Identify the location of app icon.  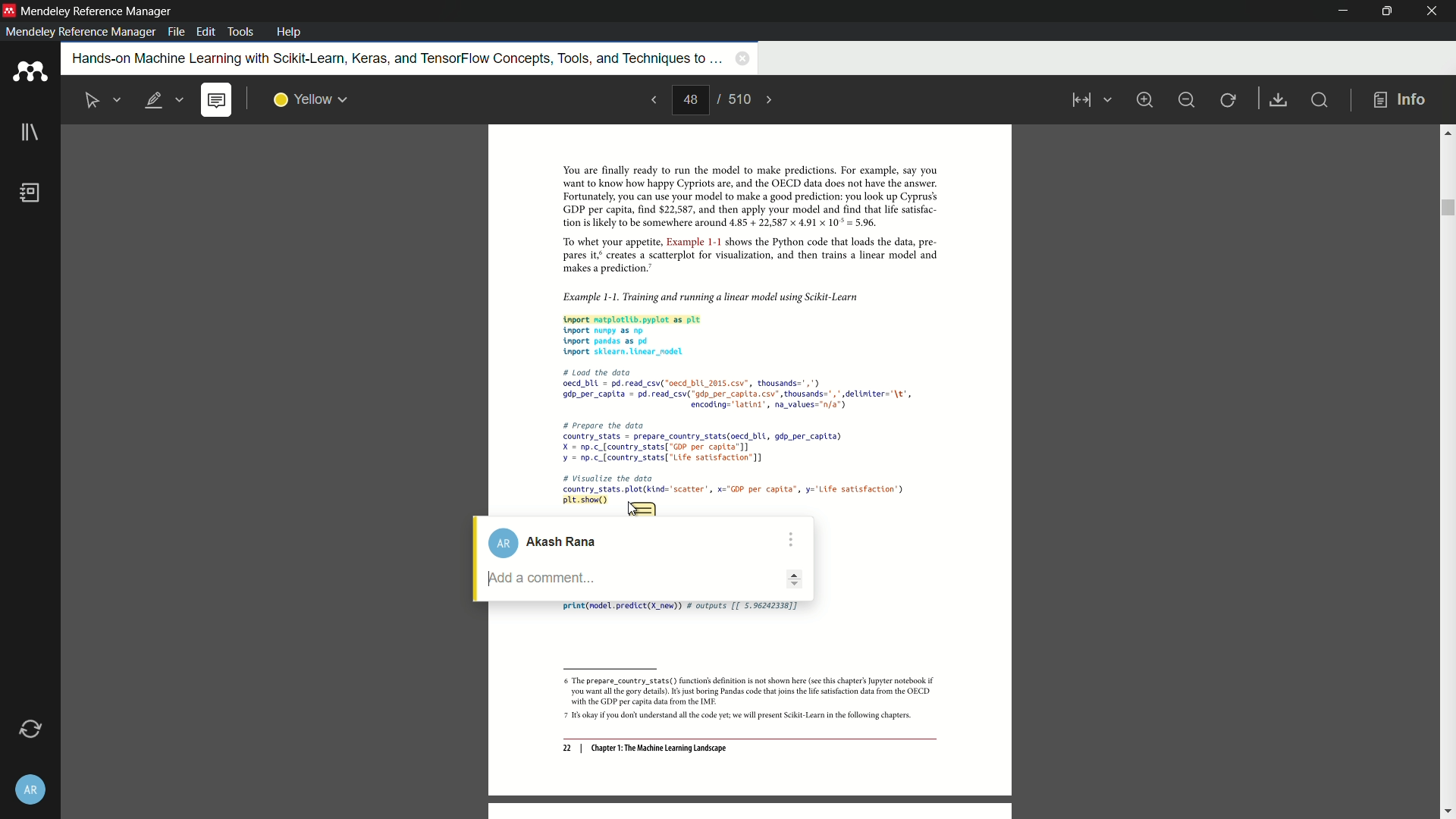
(30, 72).